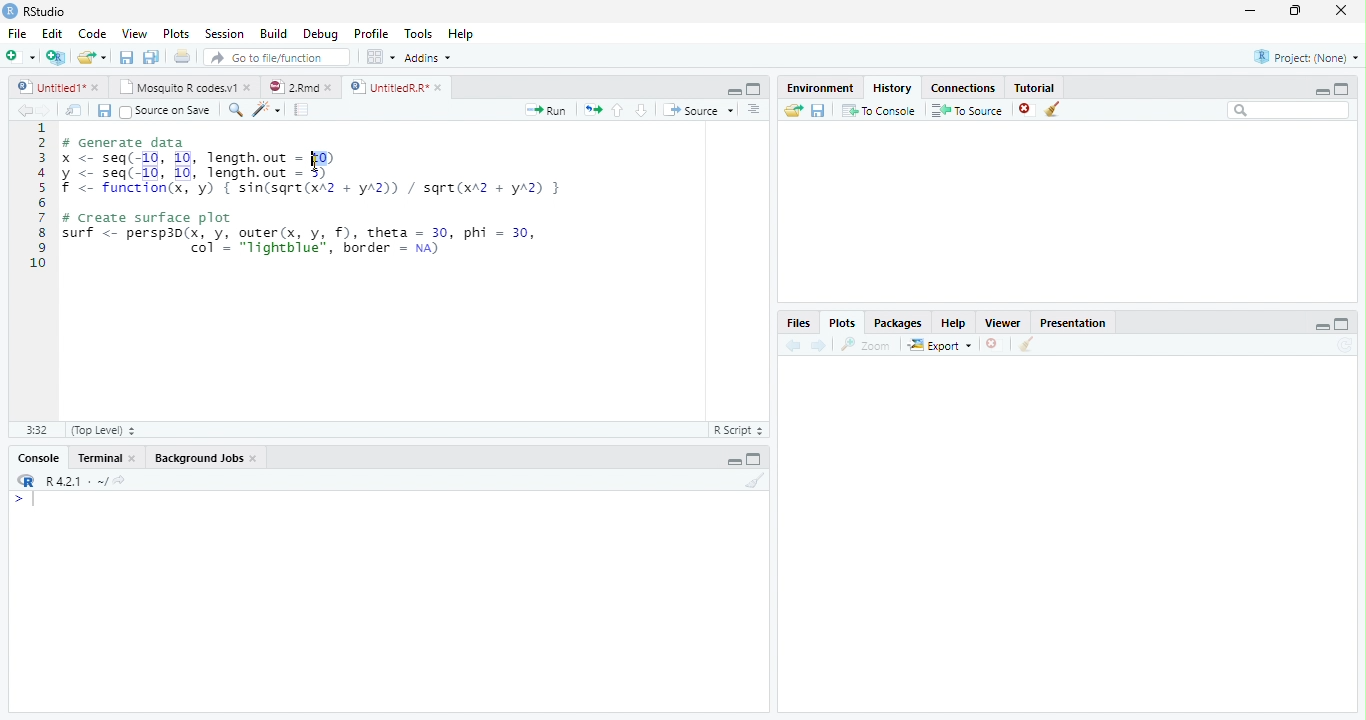  I want to click on Source, so click(697, 109).